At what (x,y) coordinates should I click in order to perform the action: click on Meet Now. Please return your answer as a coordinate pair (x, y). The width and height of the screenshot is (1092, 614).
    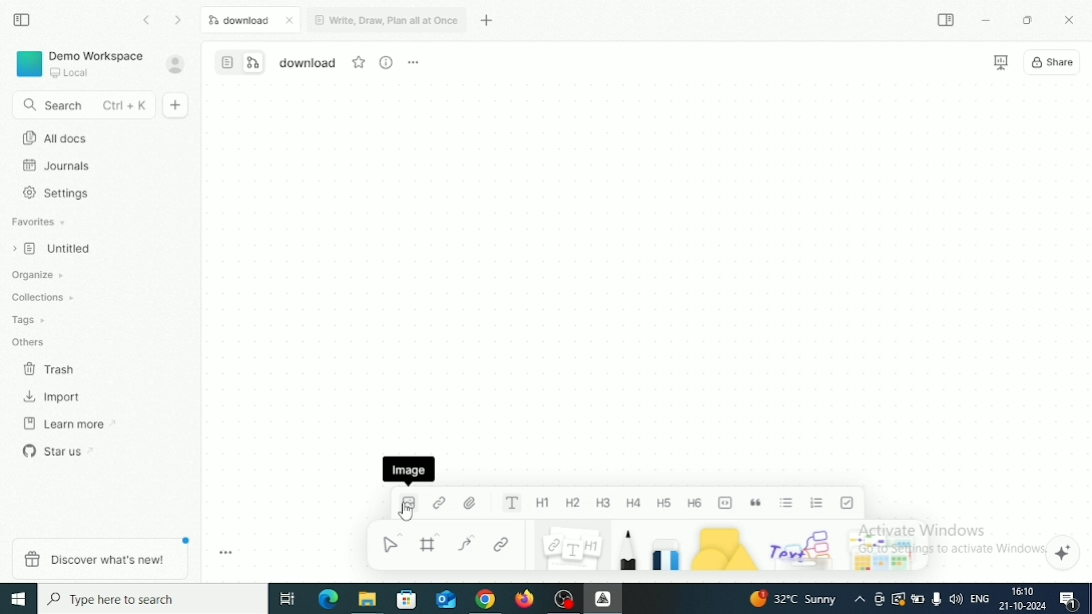
    Looking at the image, I should click on (879, 599).